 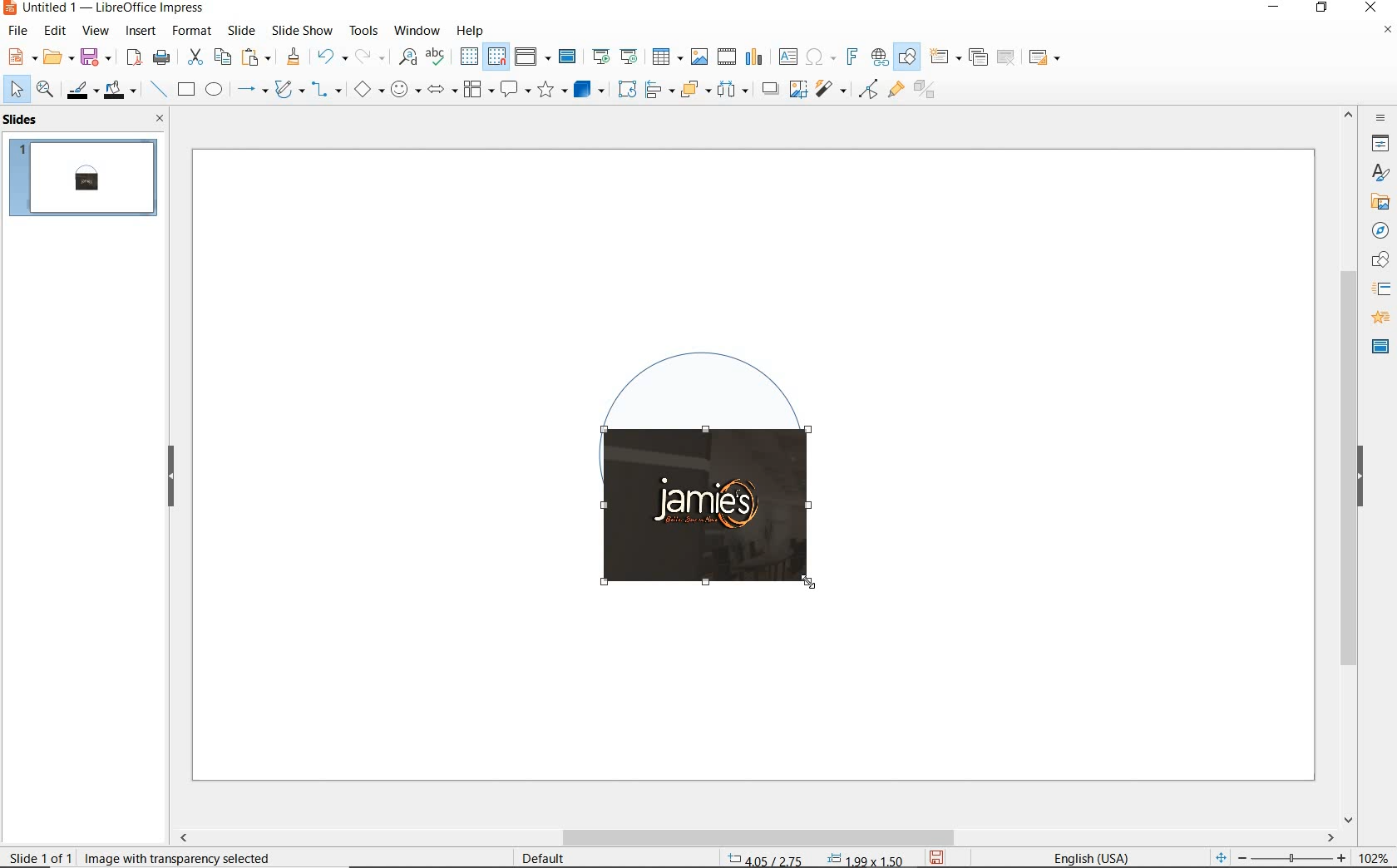 I want to click on window, so click(x=417, y=29).